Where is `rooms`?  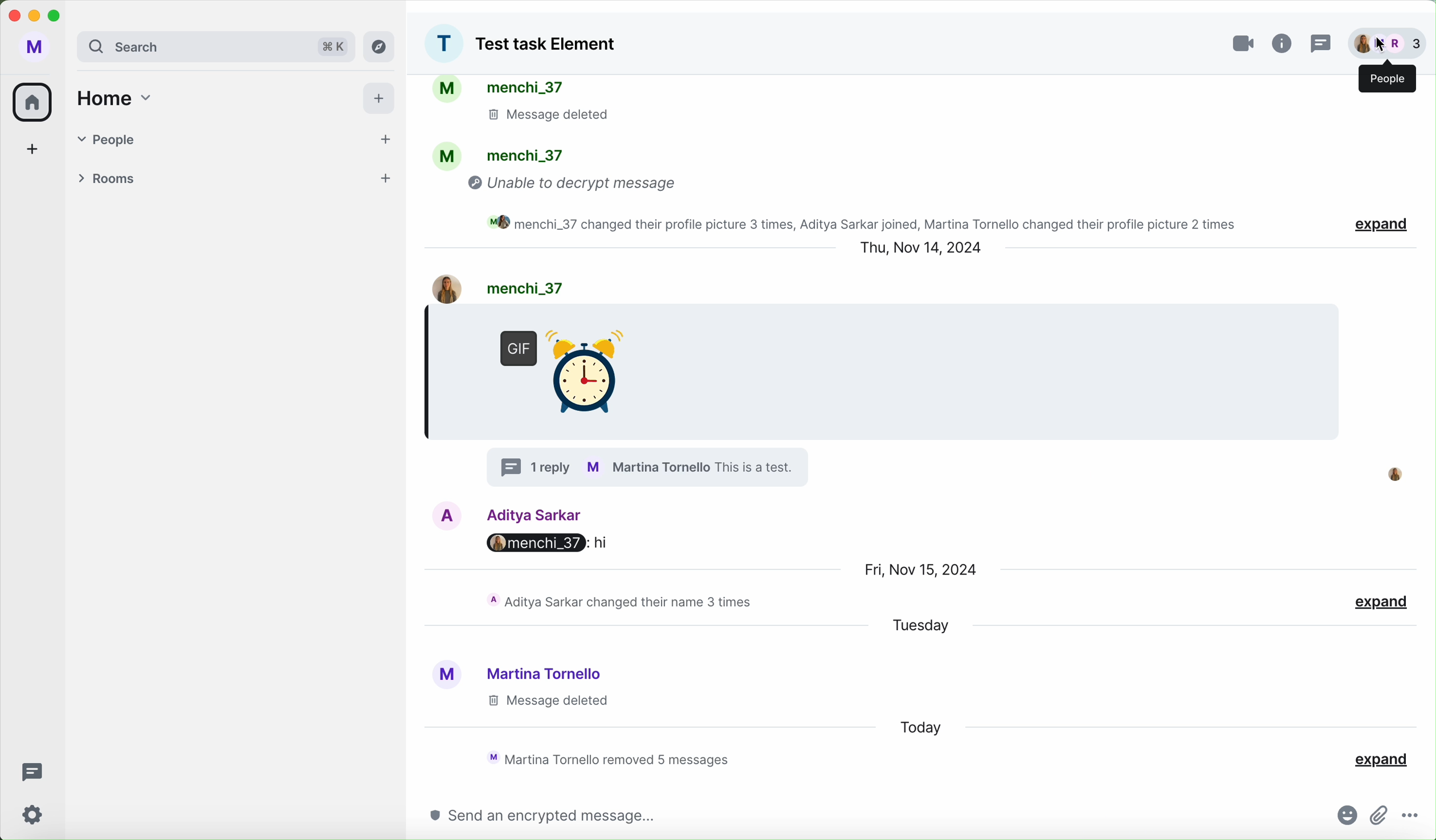
rooms is located at coordinates (214, 176).